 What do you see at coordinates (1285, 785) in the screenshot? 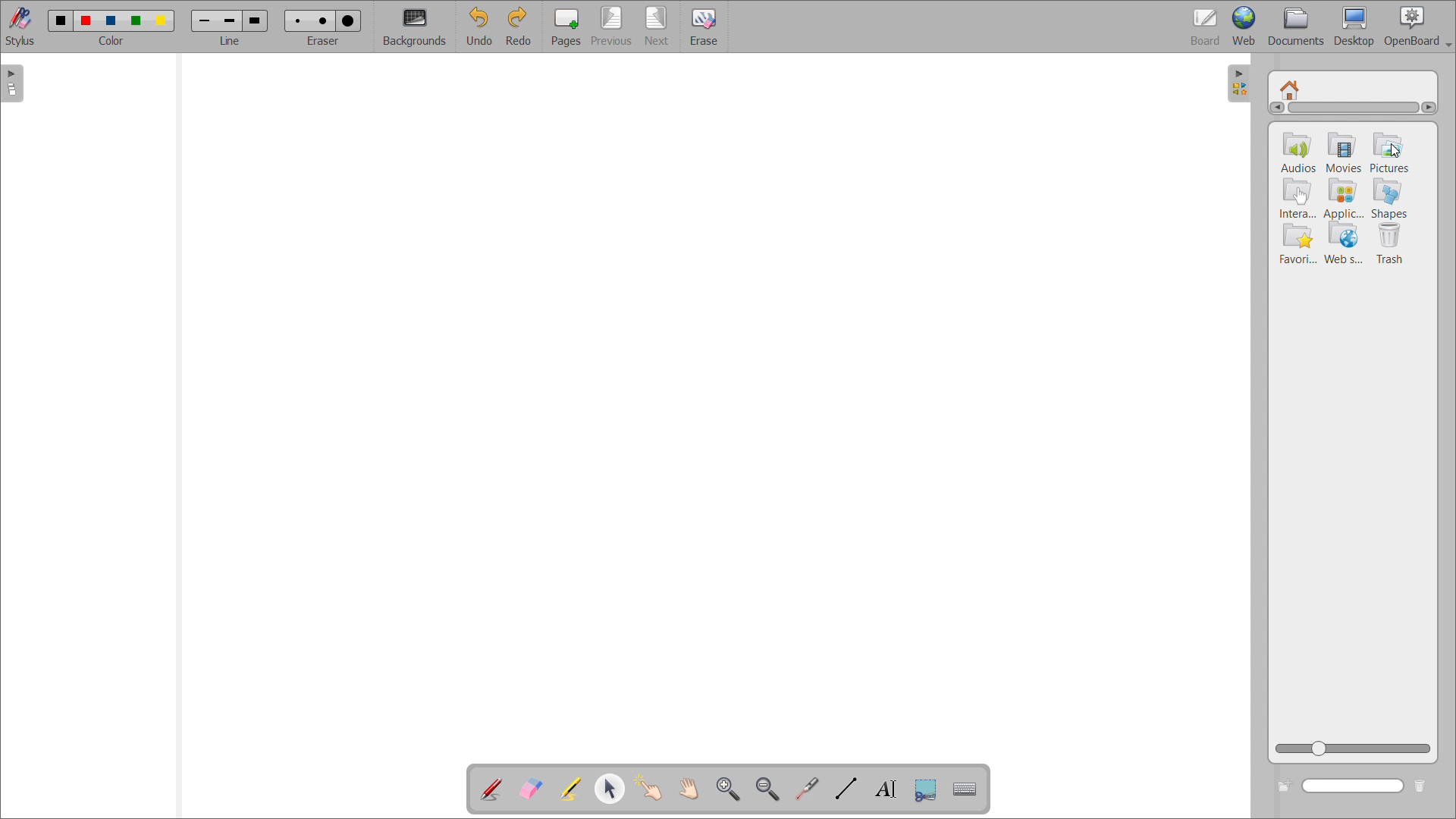
I see `create new folder` at bounding box center [1285, 785].